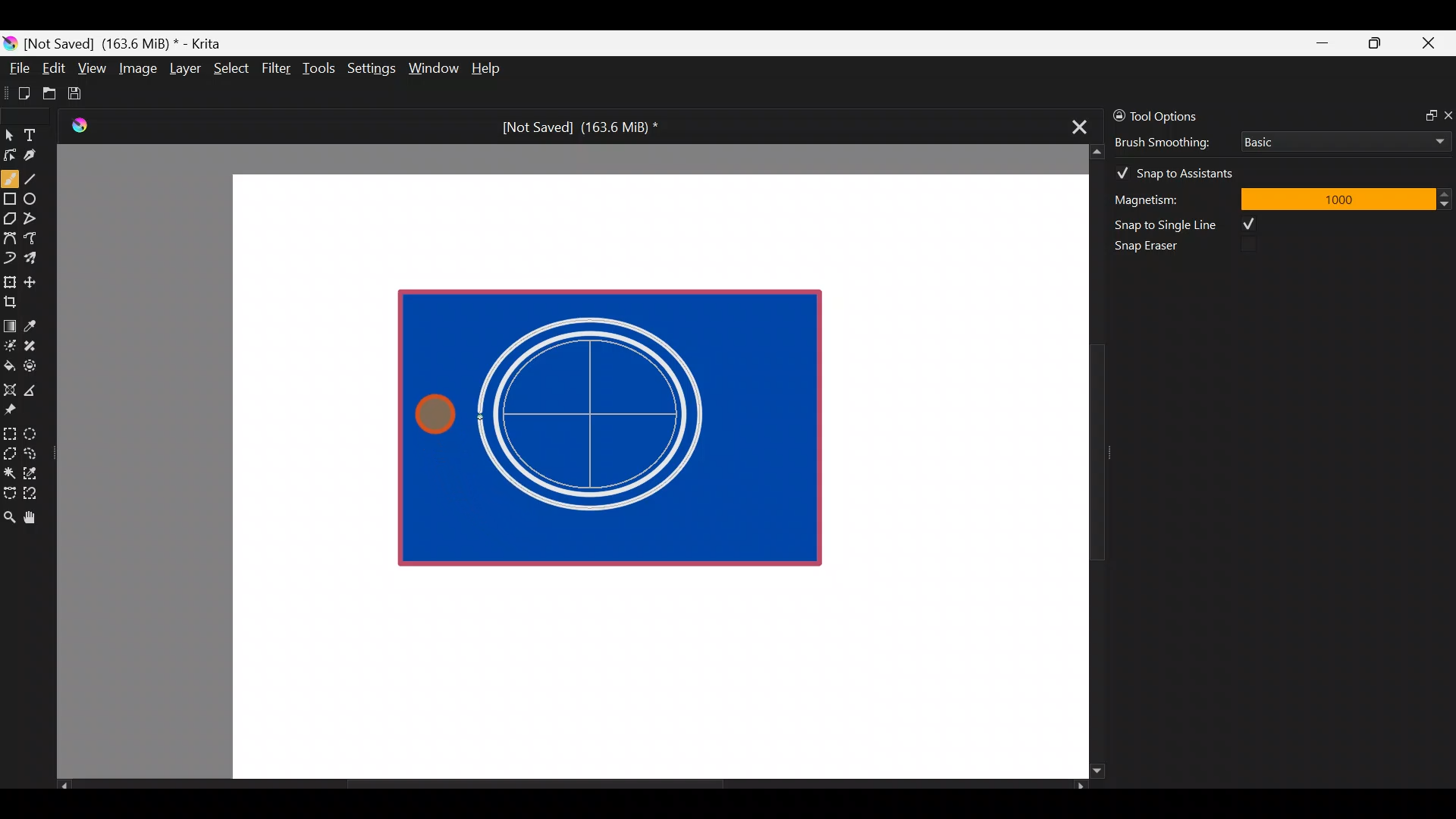 The image size is (1456, 819). What do you see at coordinates (9, 491) in the screenshot?
I see `Bezier curve selection tool` at bounding box center [9, 491].